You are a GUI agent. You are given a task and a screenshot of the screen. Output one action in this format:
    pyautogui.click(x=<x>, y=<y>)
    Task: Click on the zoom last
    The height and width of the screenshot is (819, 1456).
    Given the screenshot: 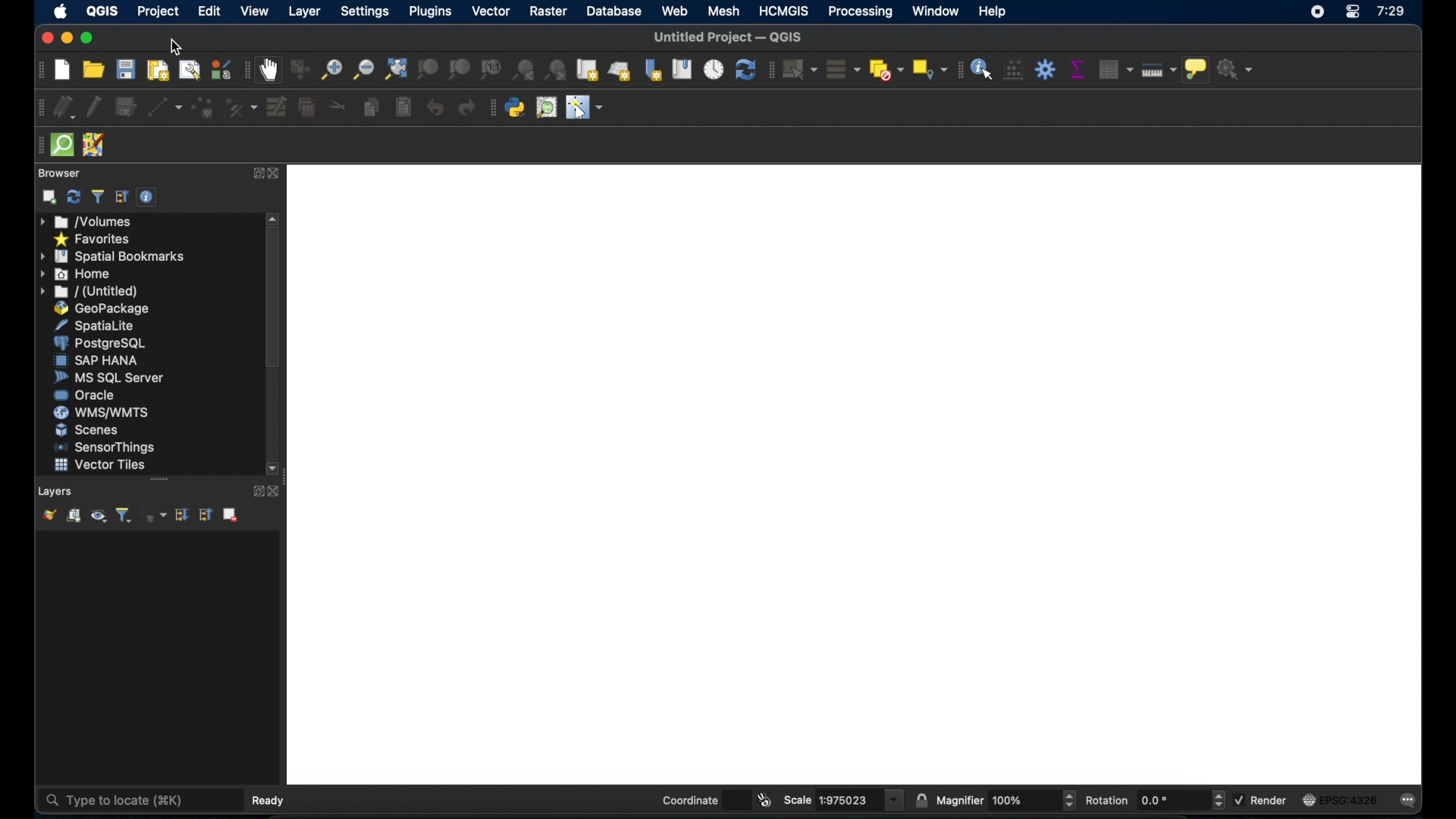 What is the action you would take?
    pyautogui.click(x=525, y=69)
    